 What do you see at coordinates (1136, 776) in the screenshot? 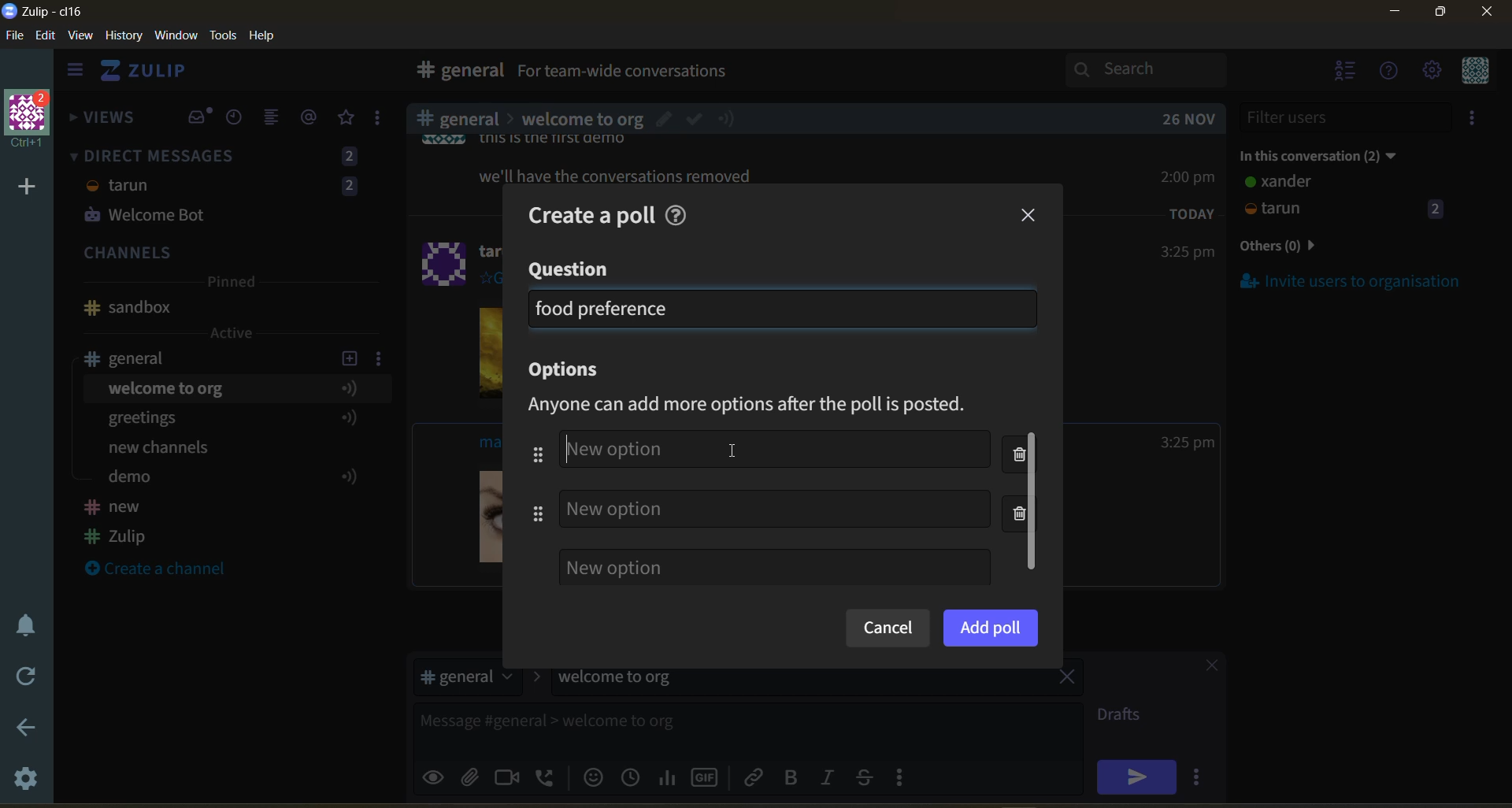
I see `send` at bounding box center [1136, 776].